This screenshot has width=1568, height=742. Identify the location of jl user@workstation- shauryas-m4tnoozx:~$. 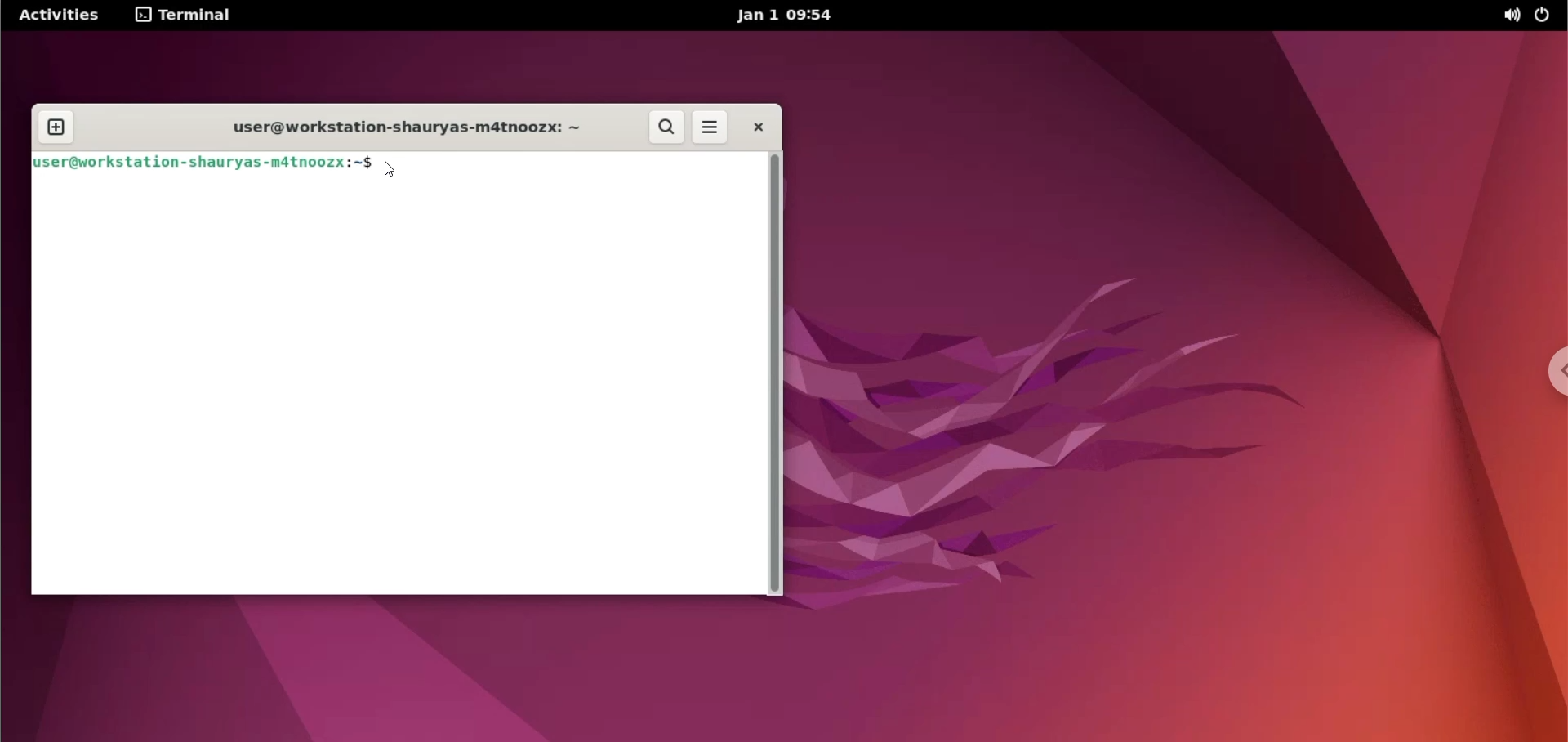
(198, 165).